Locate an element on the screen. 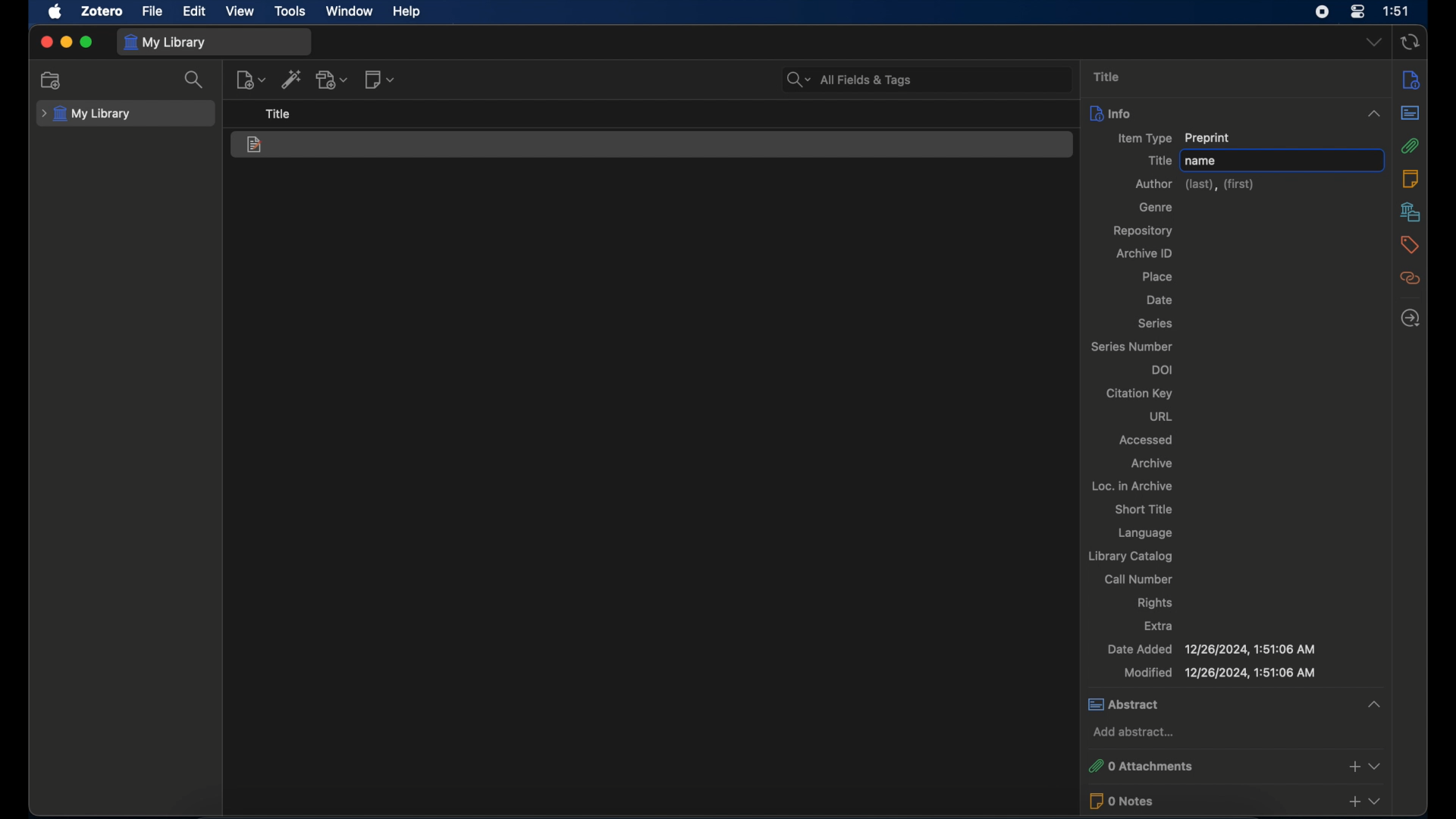  title is located at coordinates (1109, 77).